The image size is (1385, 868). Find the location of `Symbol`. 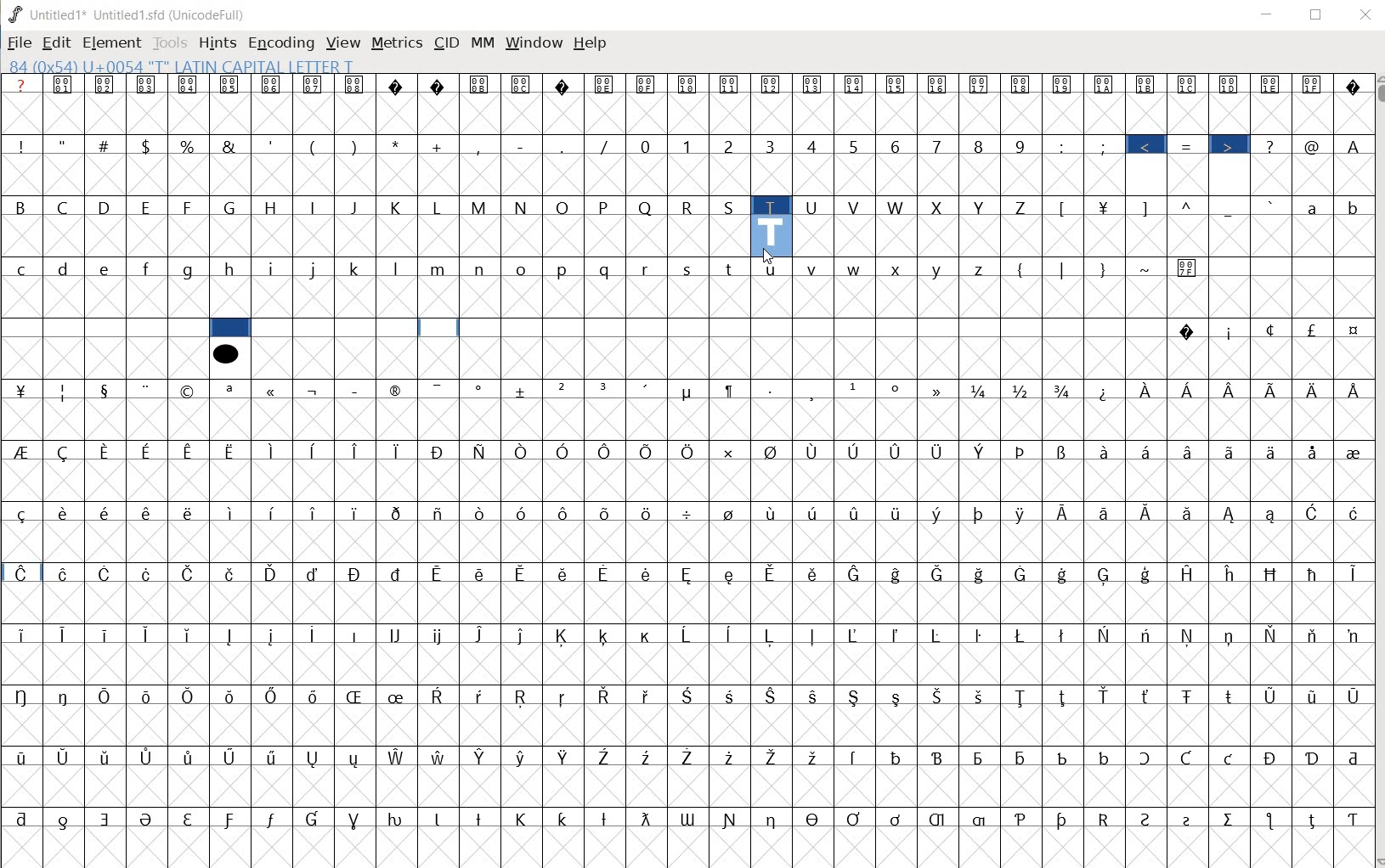

Symbol is located at coordinates (108, 633).